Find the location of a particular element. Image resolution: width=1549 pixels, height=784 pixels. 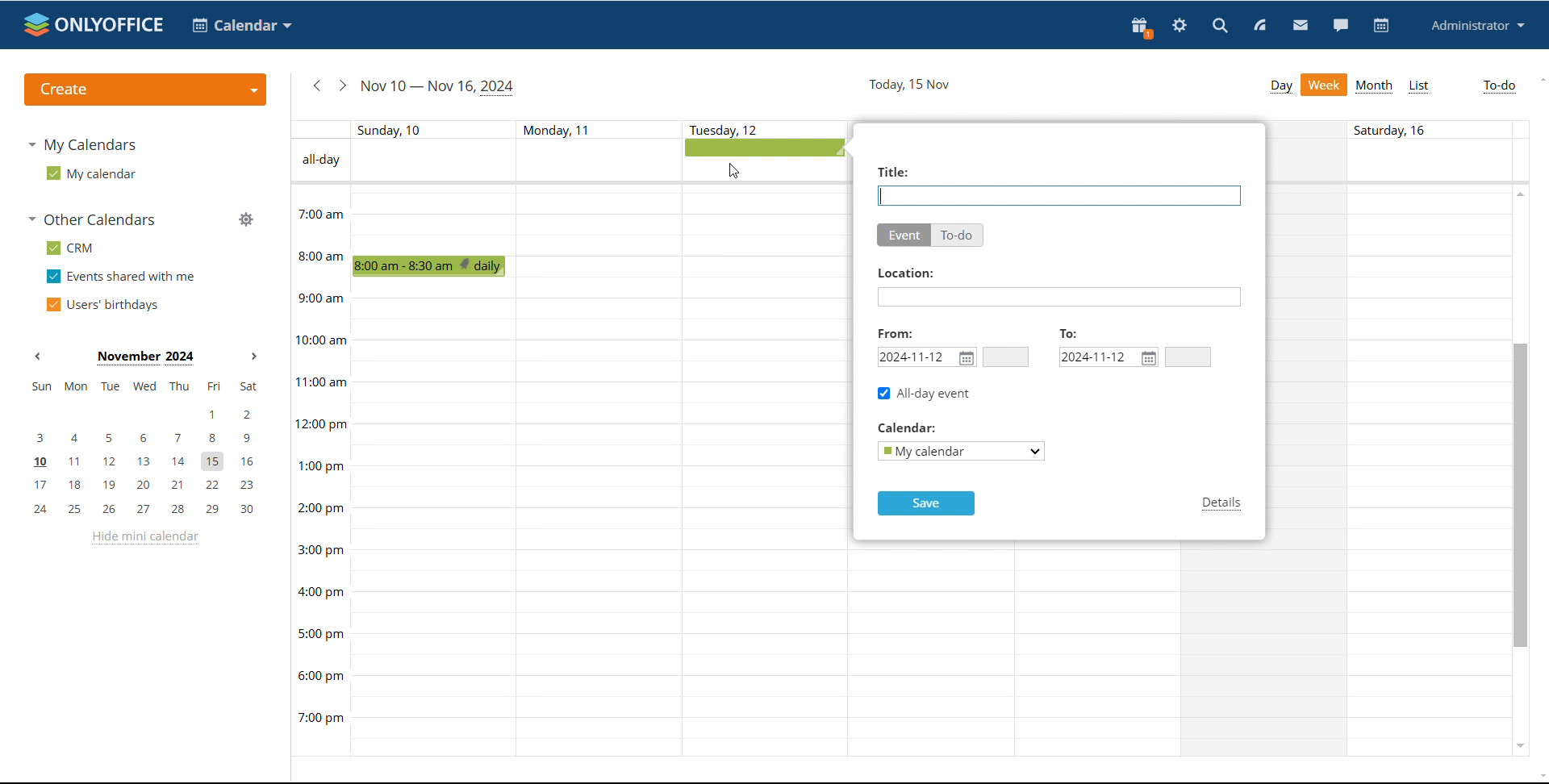

scrollbar is located at coordinates (1522, 495).